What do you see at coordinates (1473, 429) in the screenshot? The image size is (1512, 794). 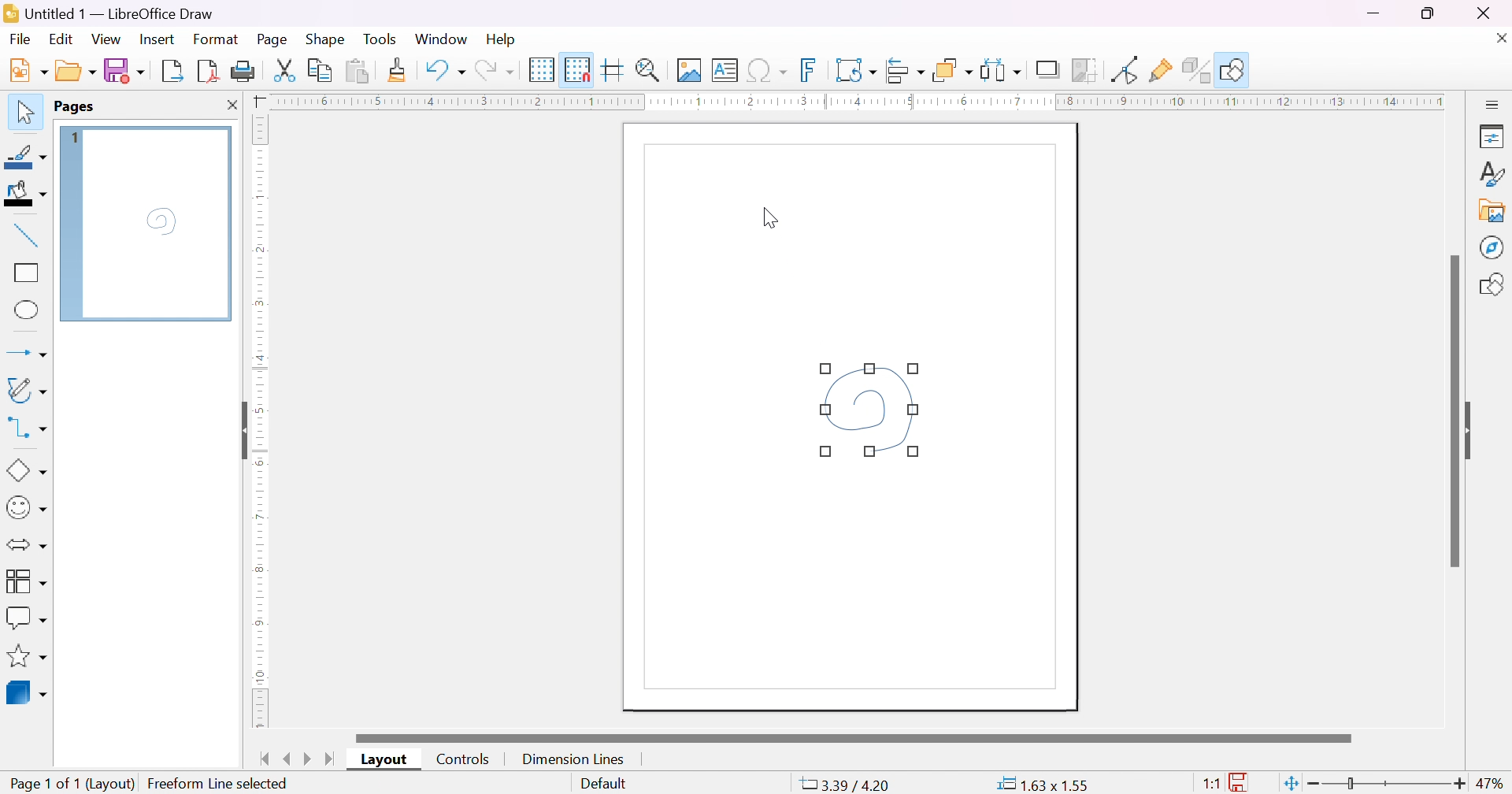 I see `slide` at bounding box center [1473, 429].